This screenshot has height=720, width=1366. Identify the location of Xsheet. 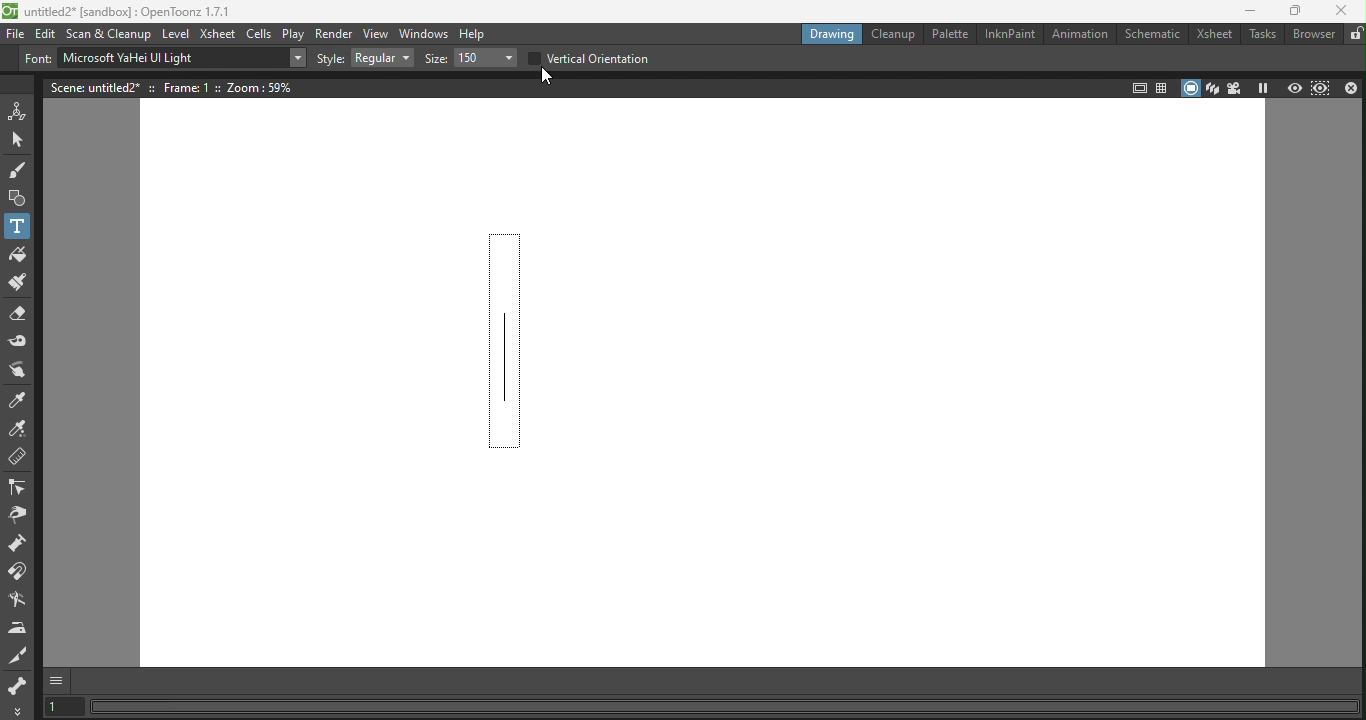
(218, 35).